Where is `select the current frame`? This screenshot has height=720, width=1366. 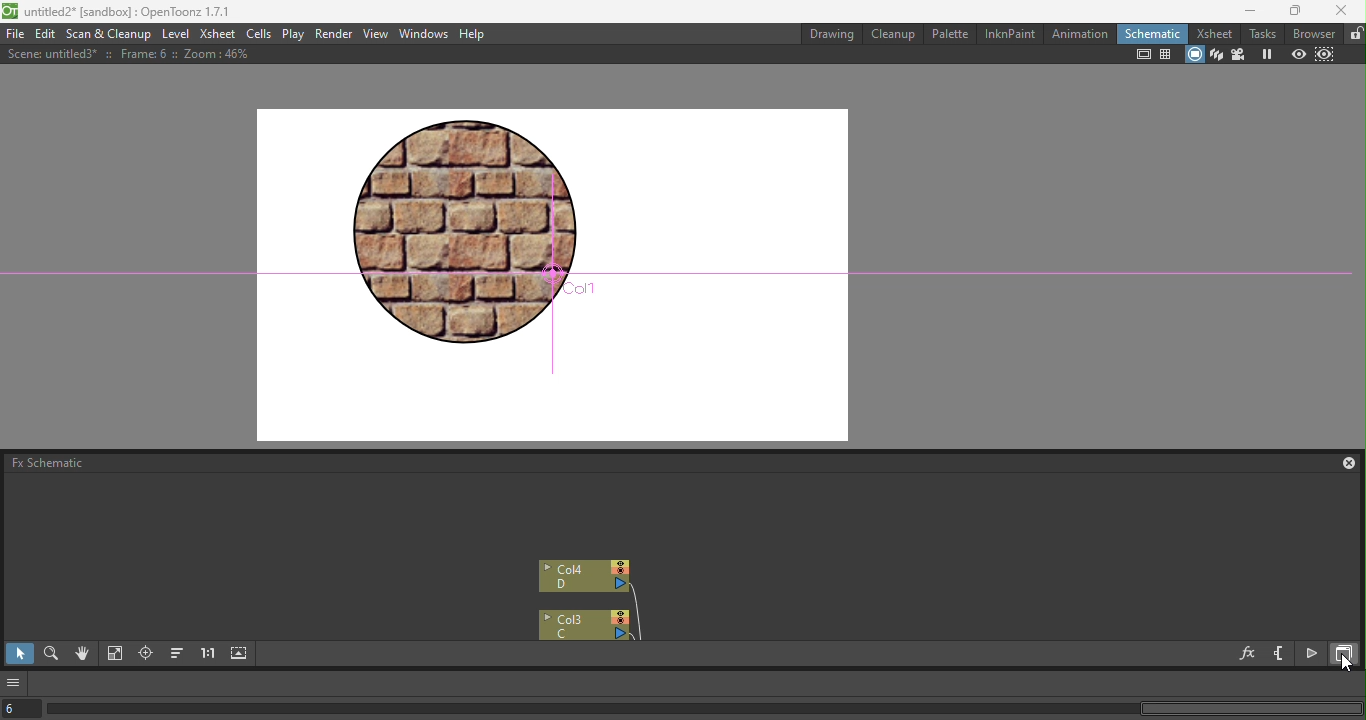 select the current frame is located at coordinates (21, 709).